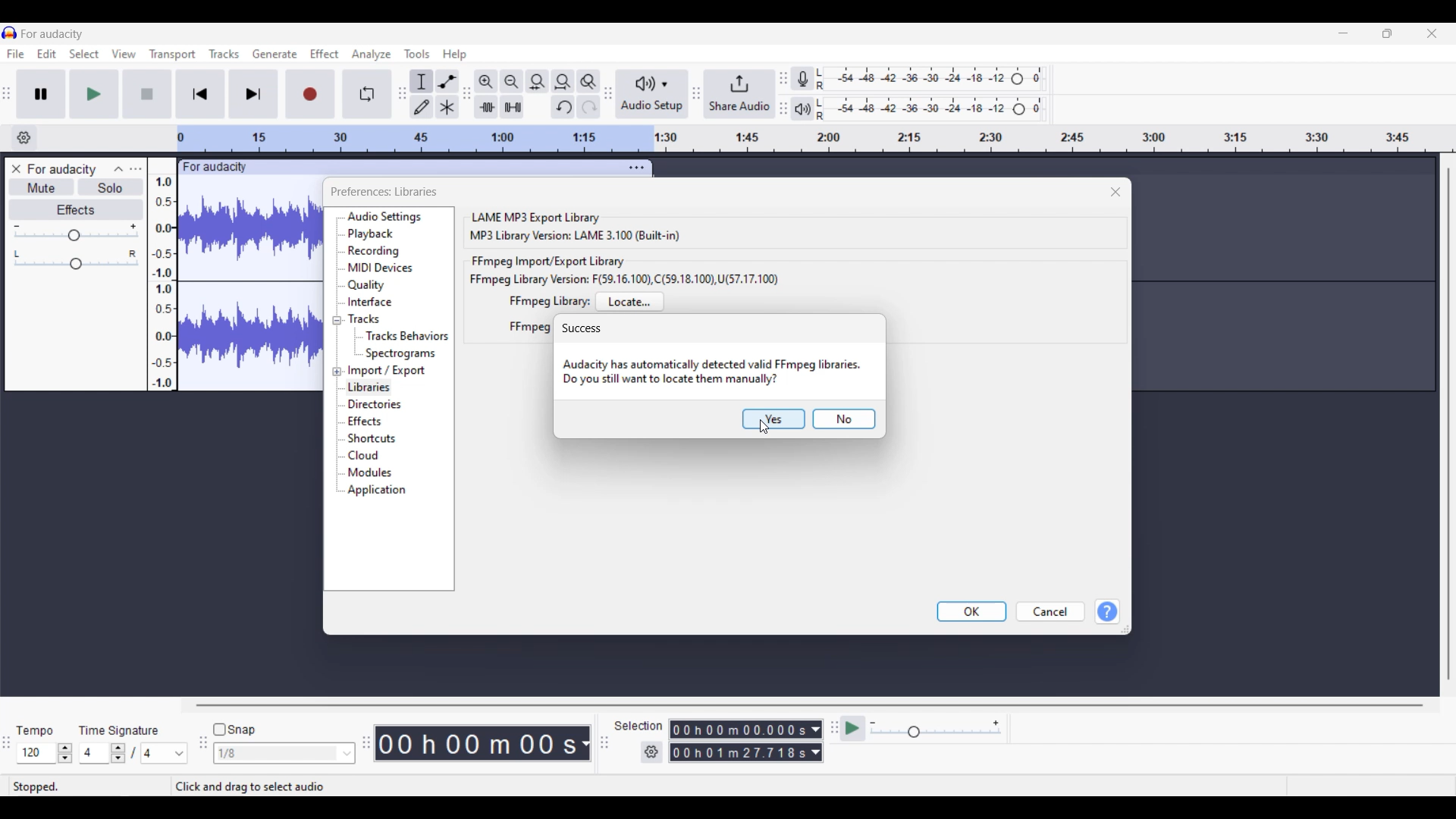 Image resolution: width=1456 pixels, height=819 pixels. Describe the element at coordinates (563, 82) in the screenshot. I see `Fit project to width` at that location.